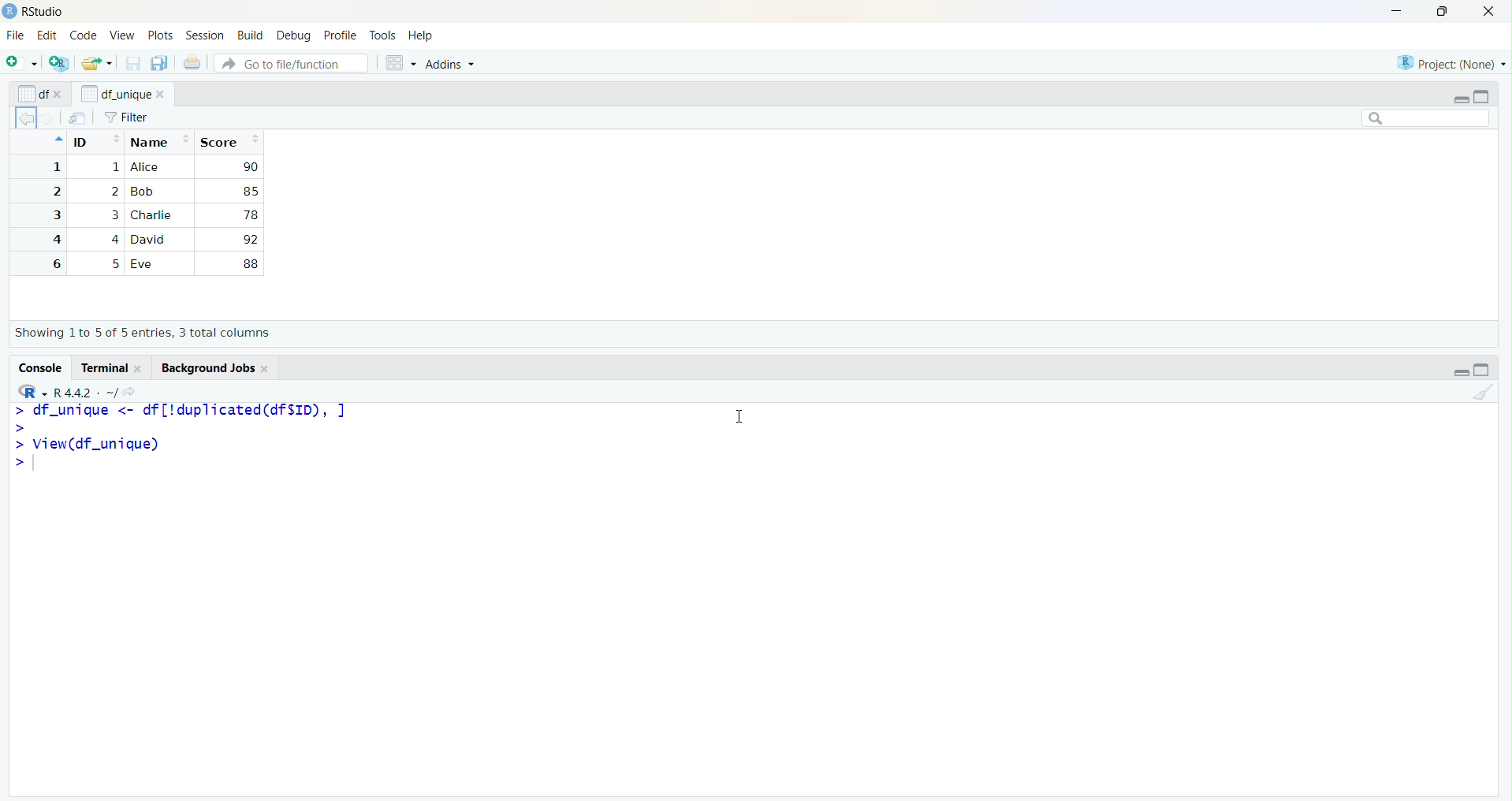 The width and height of the screenshot is (1512, 801). I want to click on RStudio, so click(44, 12).